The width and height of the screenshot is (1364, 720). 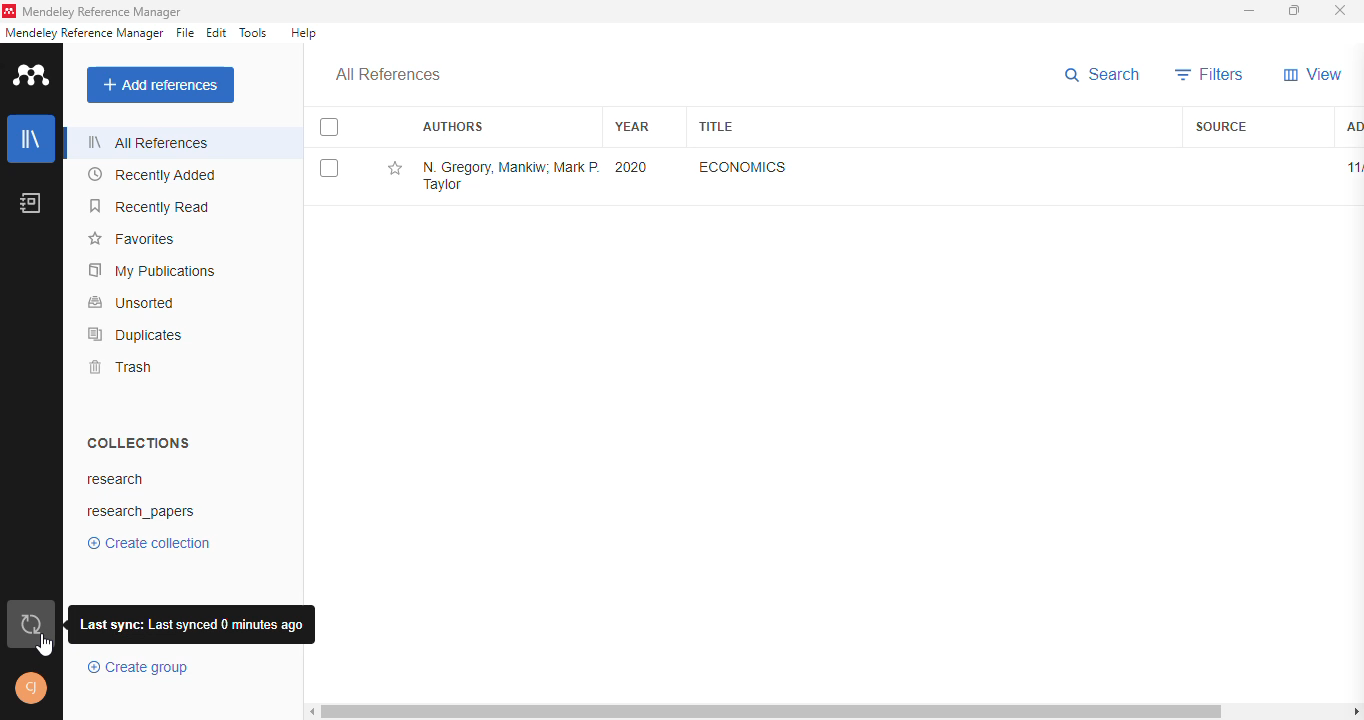 What do you see at coordinates (328, 127) in the screenshot?
I see `select` at bounding box center [328, 127].